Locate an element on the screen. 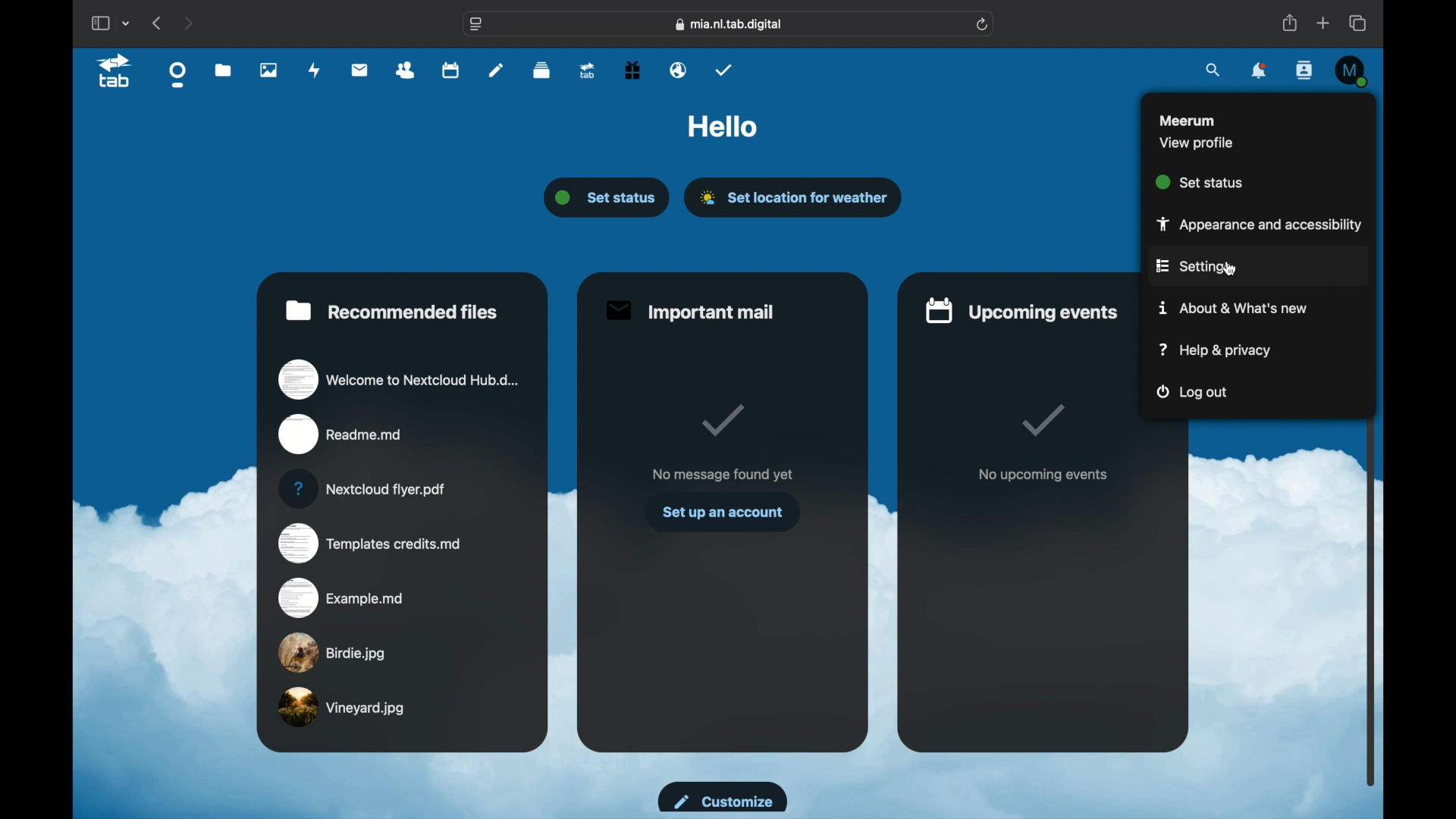  web address is located at coordinates (730, 24).